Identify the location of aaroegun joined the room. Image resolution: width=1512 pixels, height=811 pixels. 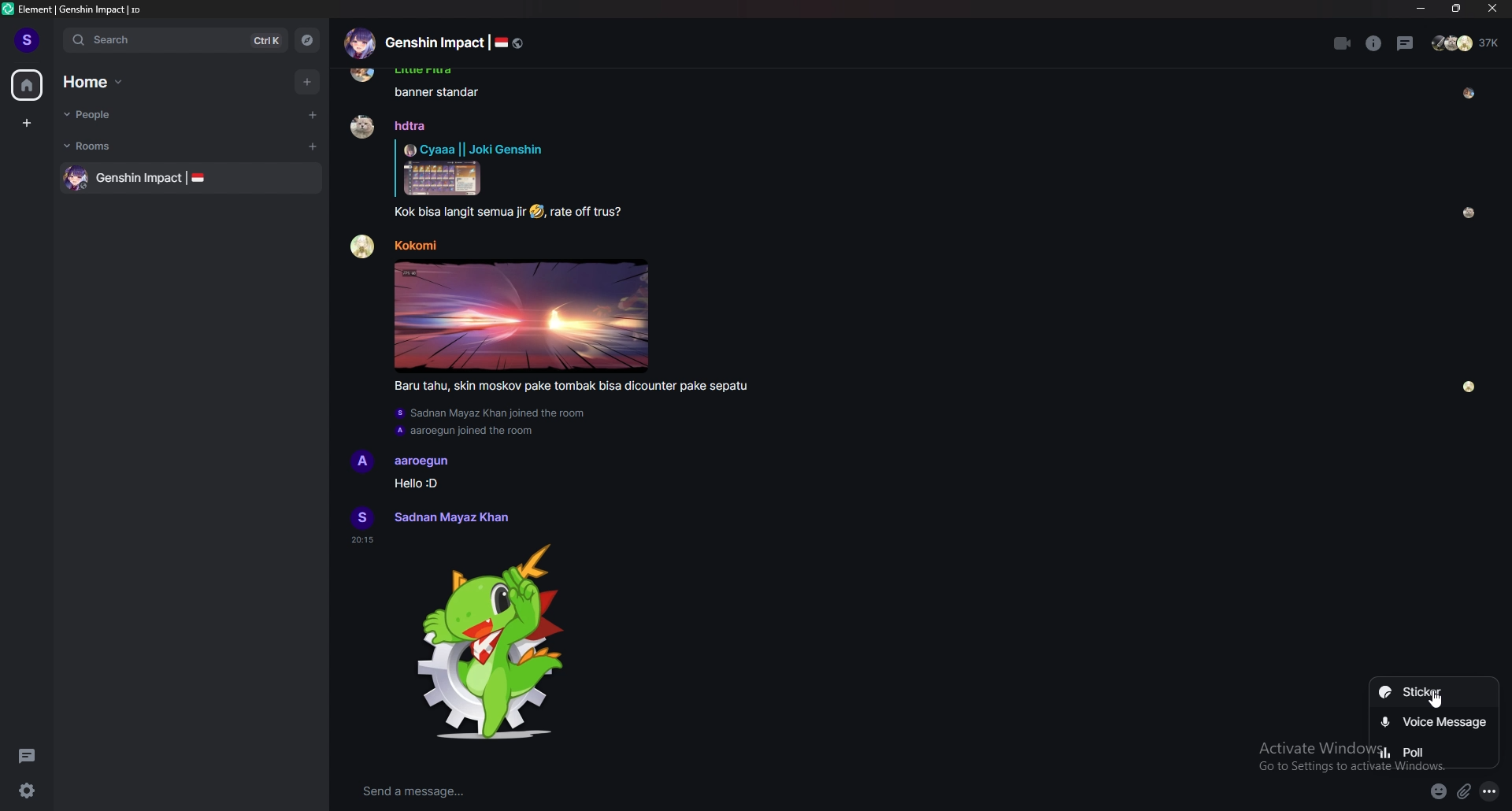
(464, 431).